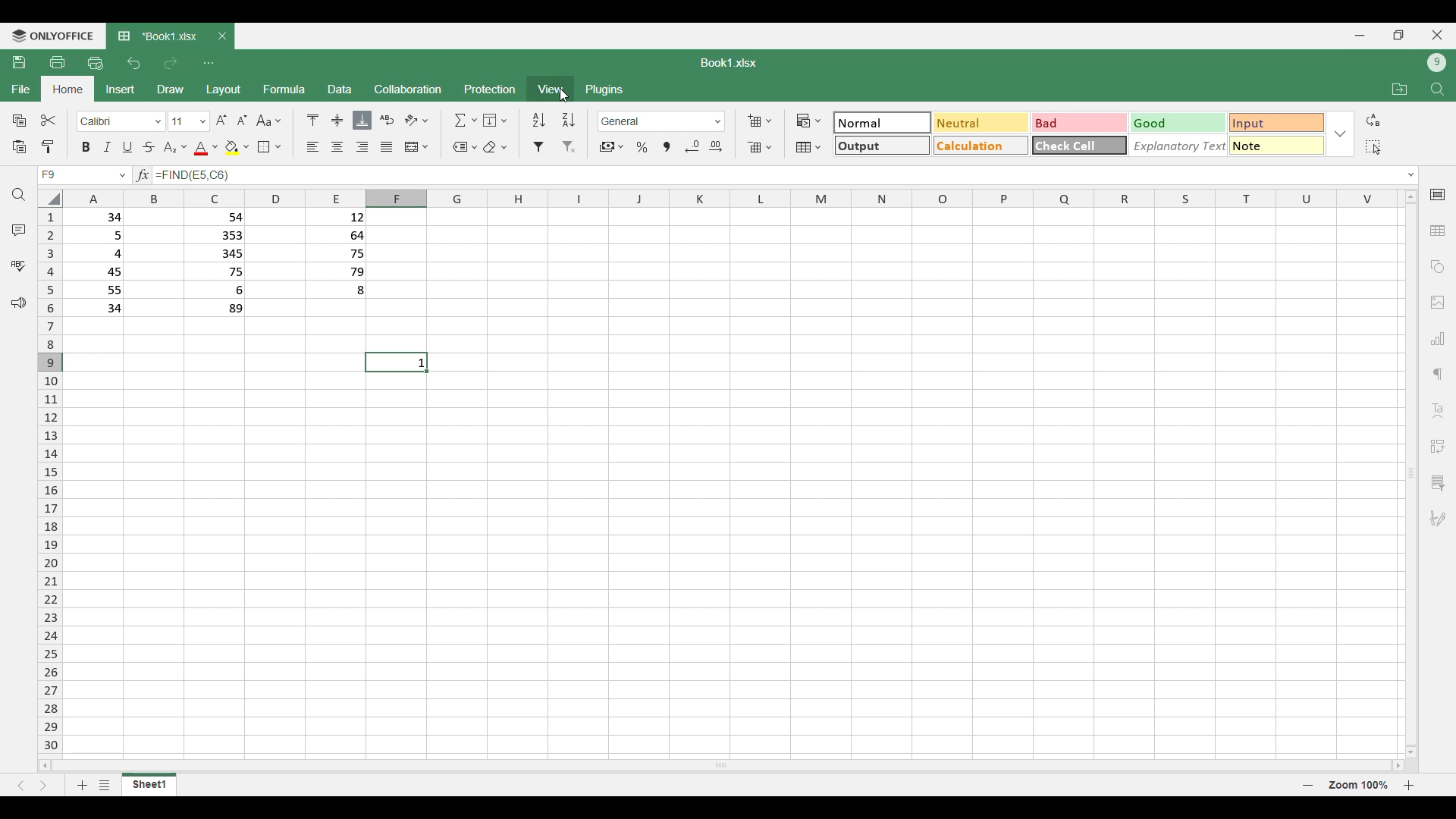 This screenshot has height=819, width=1456. What do you see at coordinates (551, 89) in the screenshot?
I see `View menu, highlighted` at bounding box center [551, 89].